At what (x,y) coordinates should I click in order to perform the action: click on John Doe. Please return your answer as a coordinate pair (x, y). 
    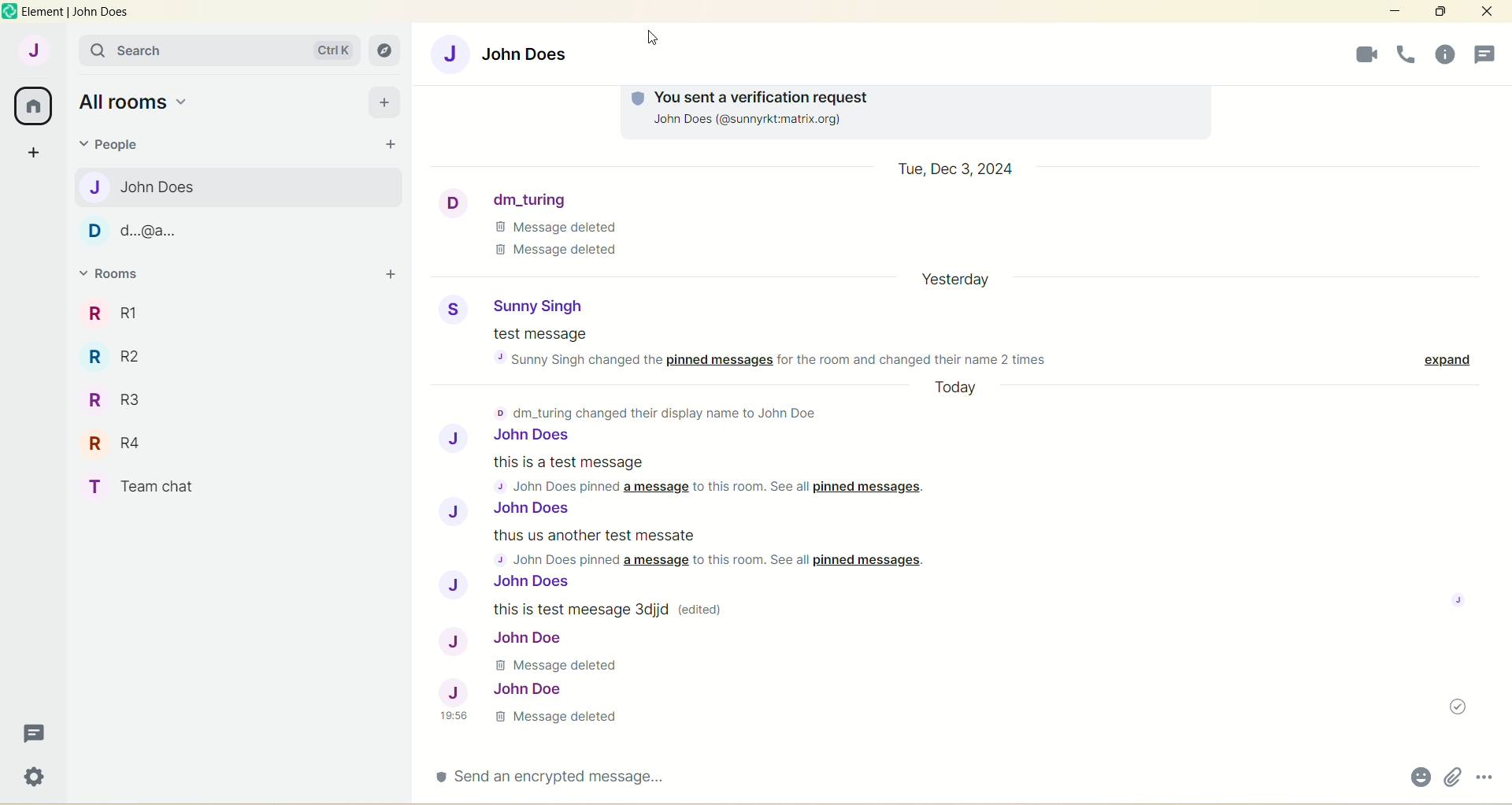
    Looking at the image, I should click on (504, 638).